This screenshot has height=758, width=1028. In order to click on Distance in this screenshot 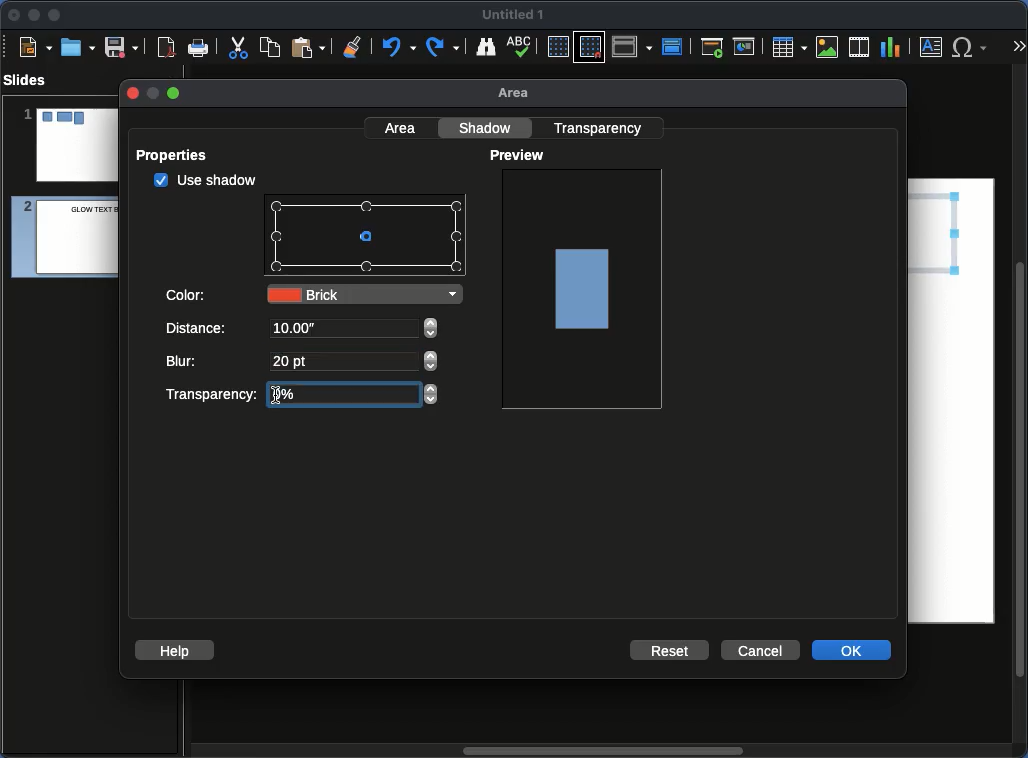, I will do `click(198, 330)`.